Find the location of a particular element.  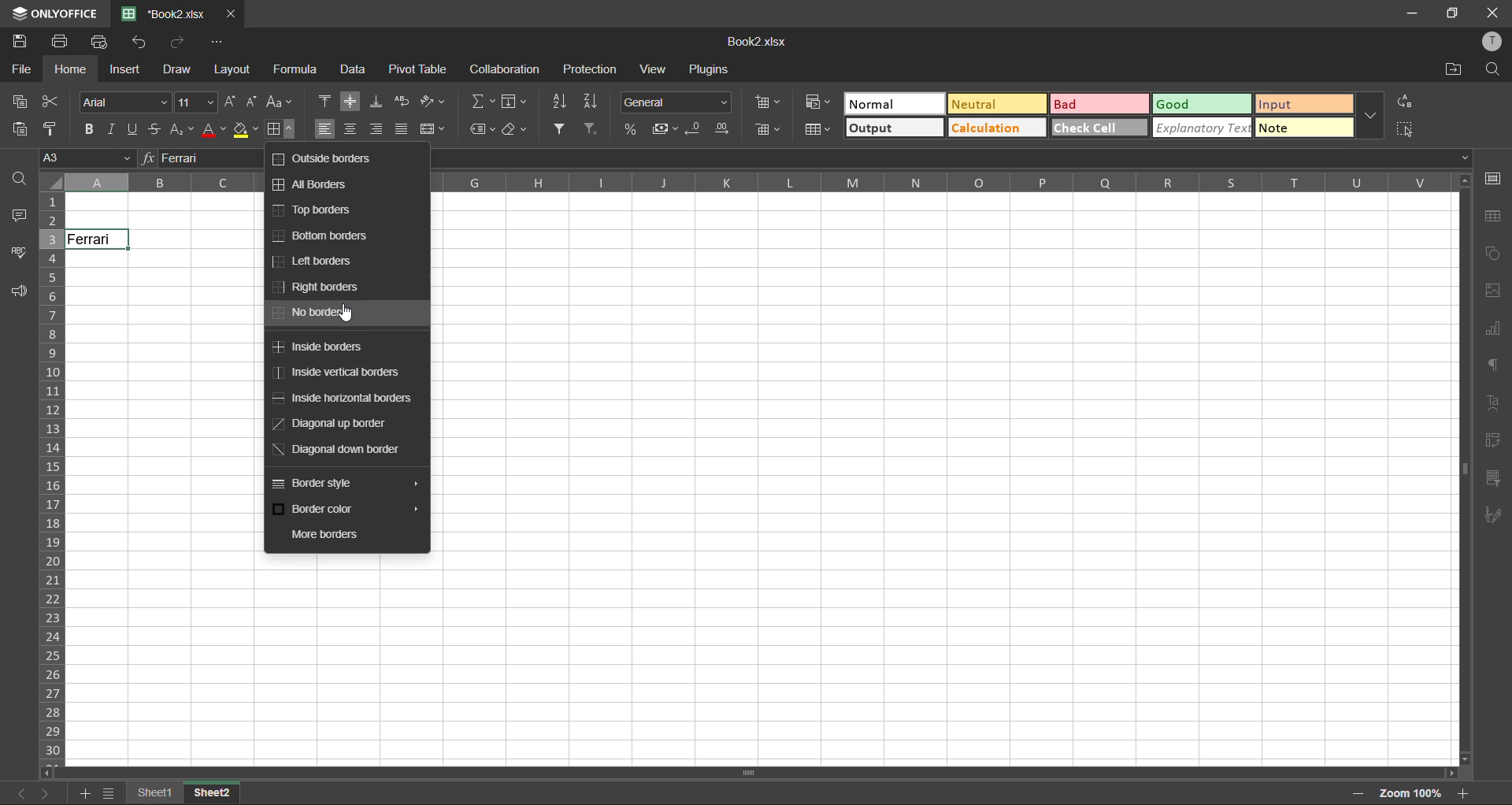

Selected Cell is located at coordinates (161, 297).